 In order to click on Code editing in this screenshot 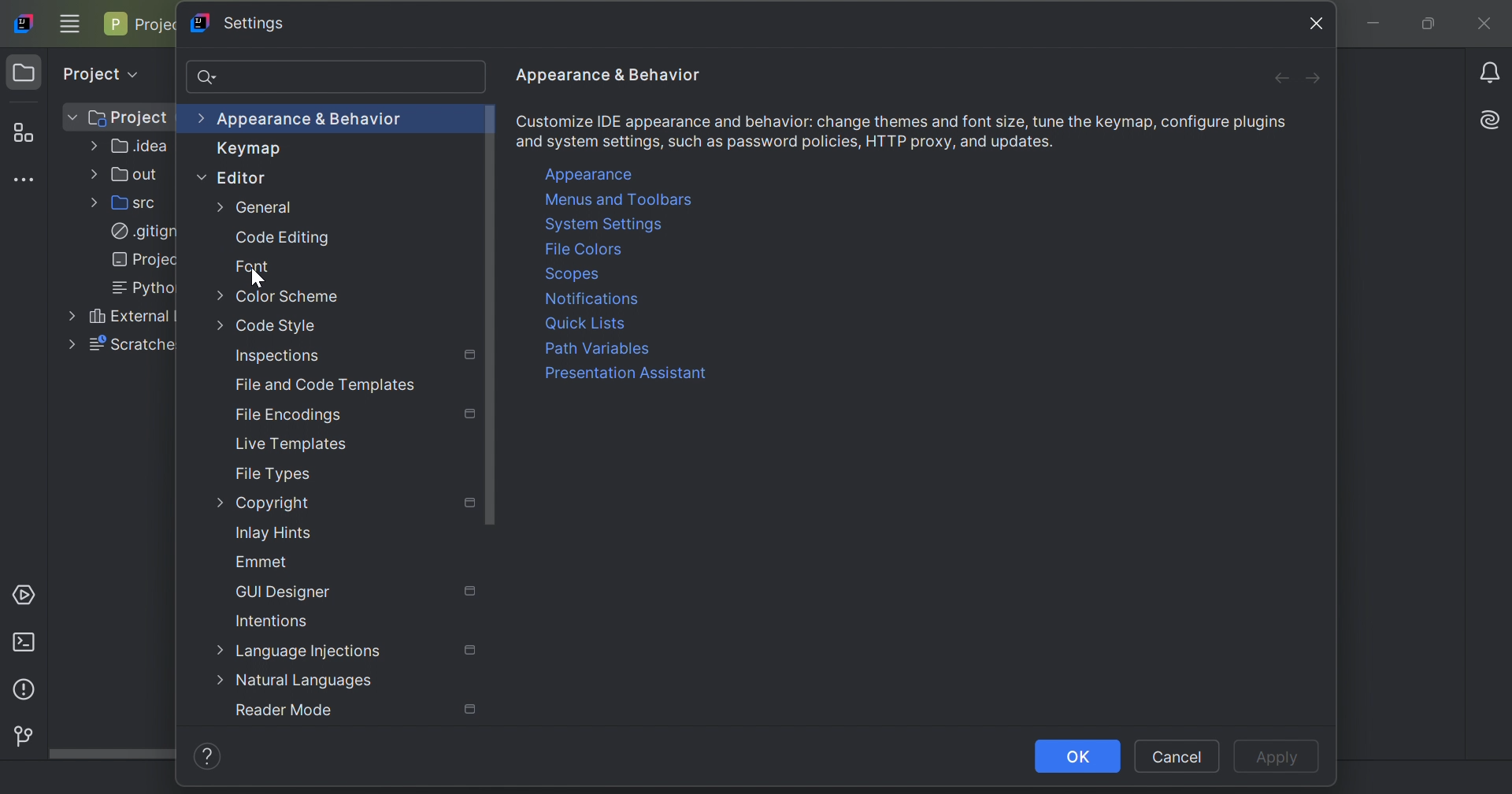, I will do `click(283, 239)`.